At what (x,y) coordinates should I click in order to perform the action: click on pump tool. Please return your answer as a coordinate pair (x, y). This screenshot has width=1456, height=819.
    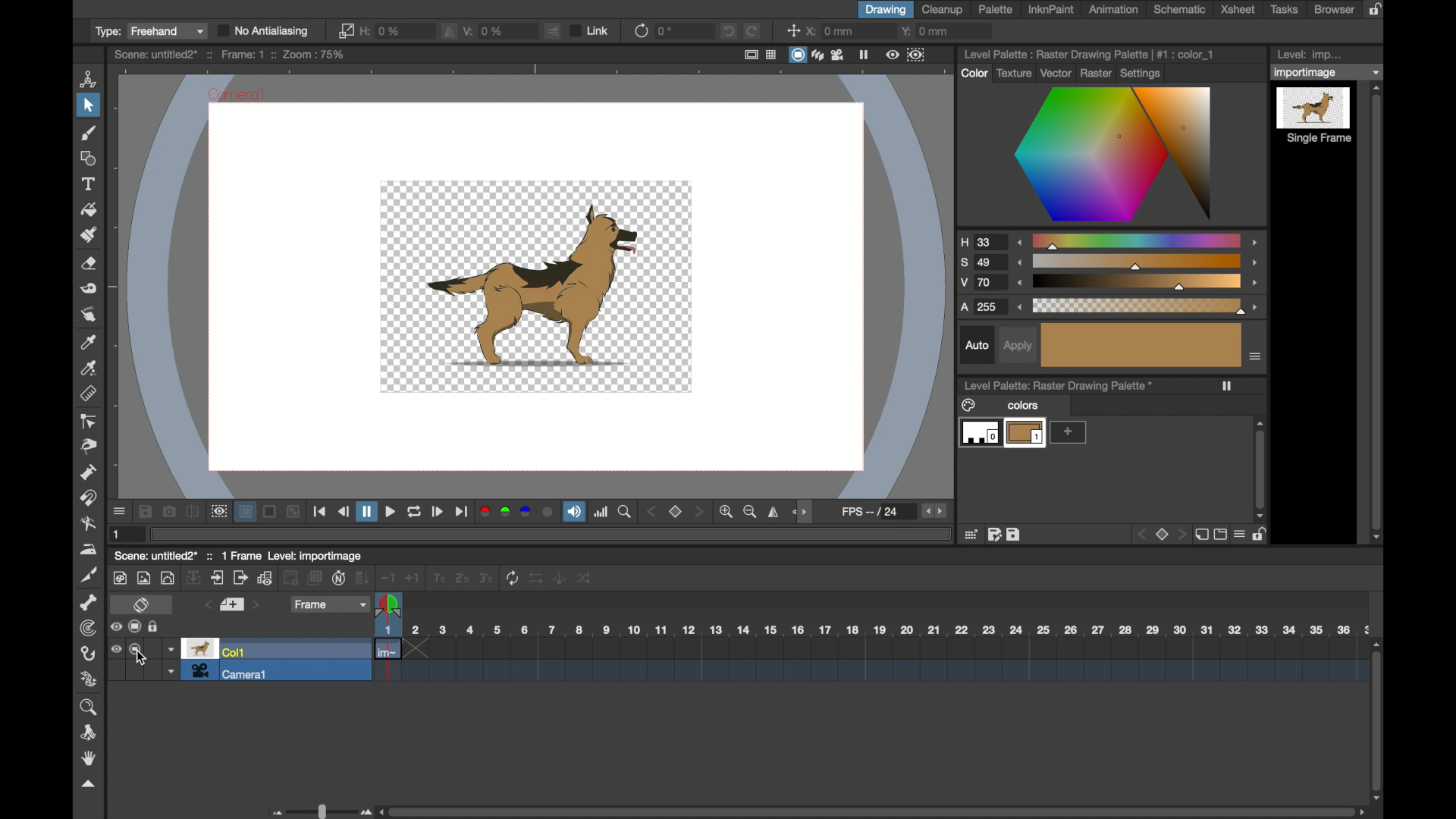
    Looking at the image, I should click on (87, 473).